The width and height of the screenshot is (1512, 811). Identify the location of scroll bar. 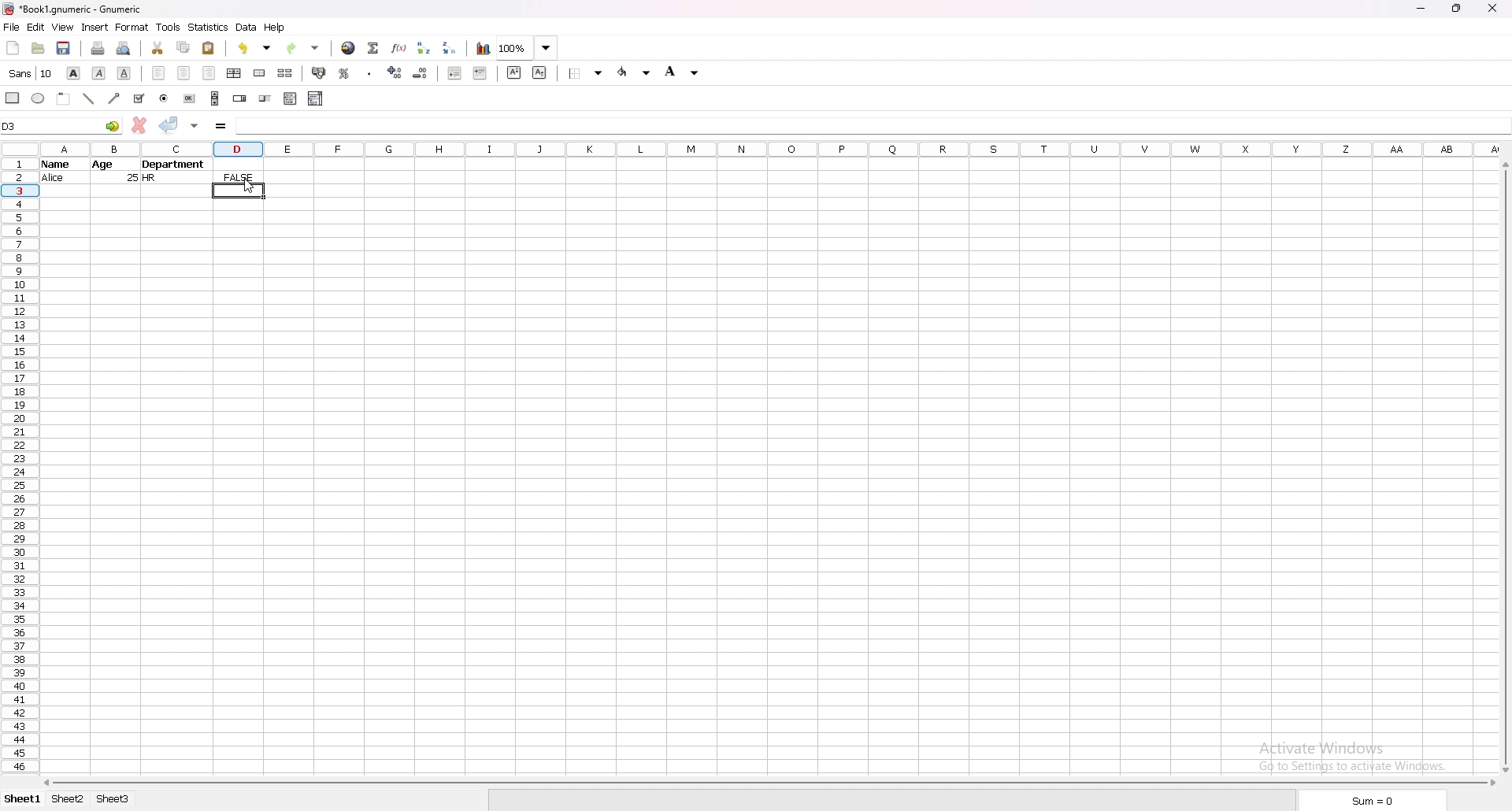
(771, 783).